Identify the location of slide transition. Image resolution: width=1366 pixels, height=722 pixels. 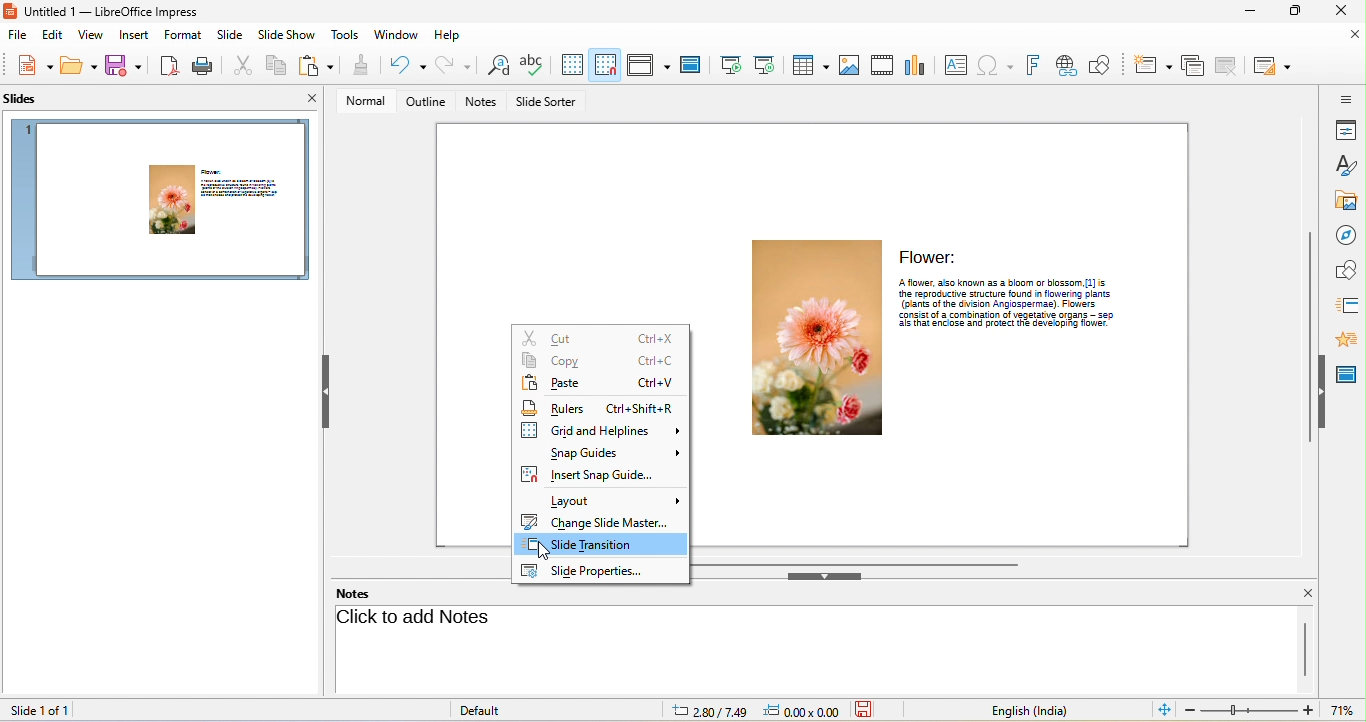
(602, 546).